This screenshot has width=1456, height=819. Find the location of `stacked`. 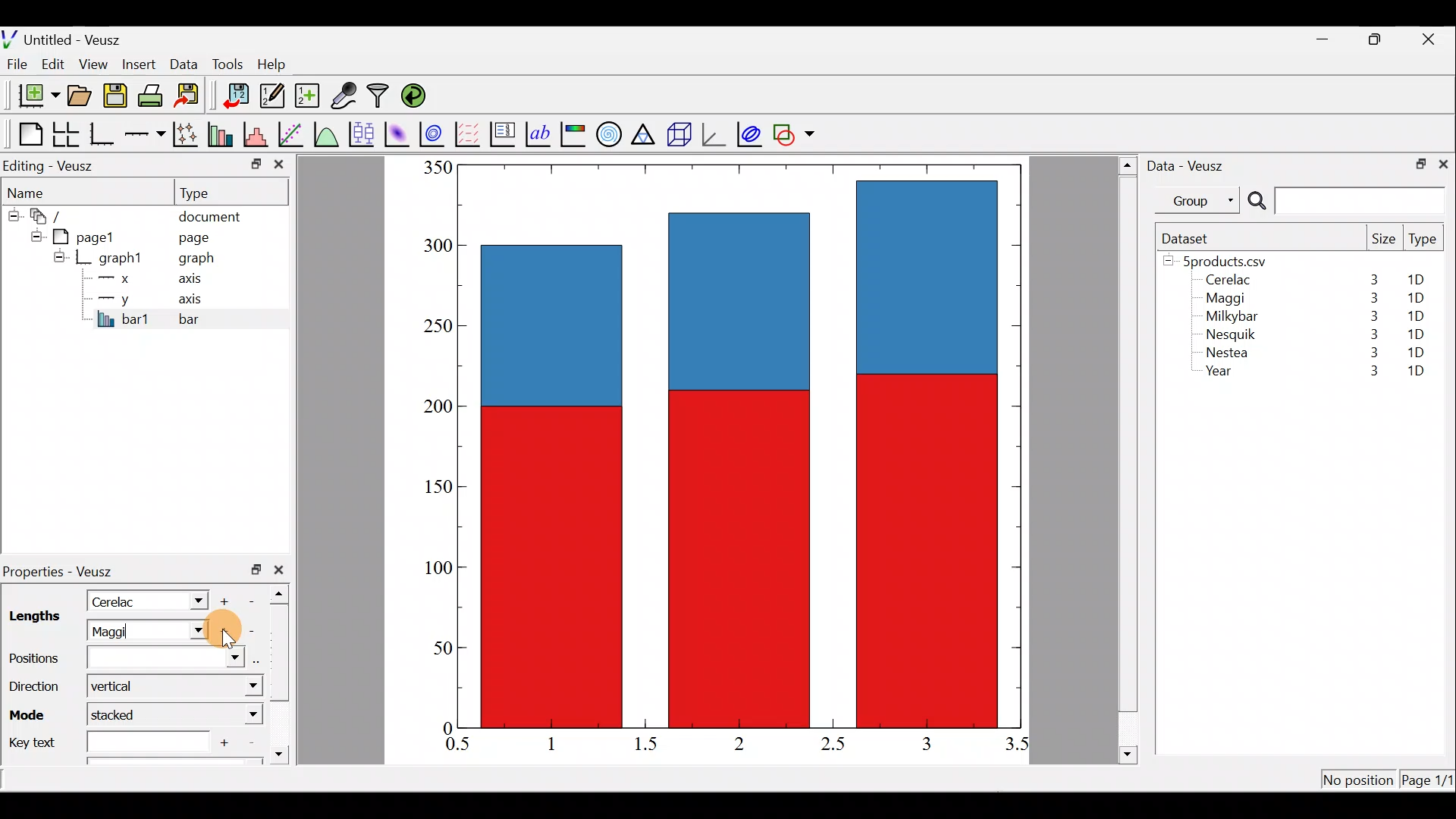

stacked is located at coordinates (123, 714).